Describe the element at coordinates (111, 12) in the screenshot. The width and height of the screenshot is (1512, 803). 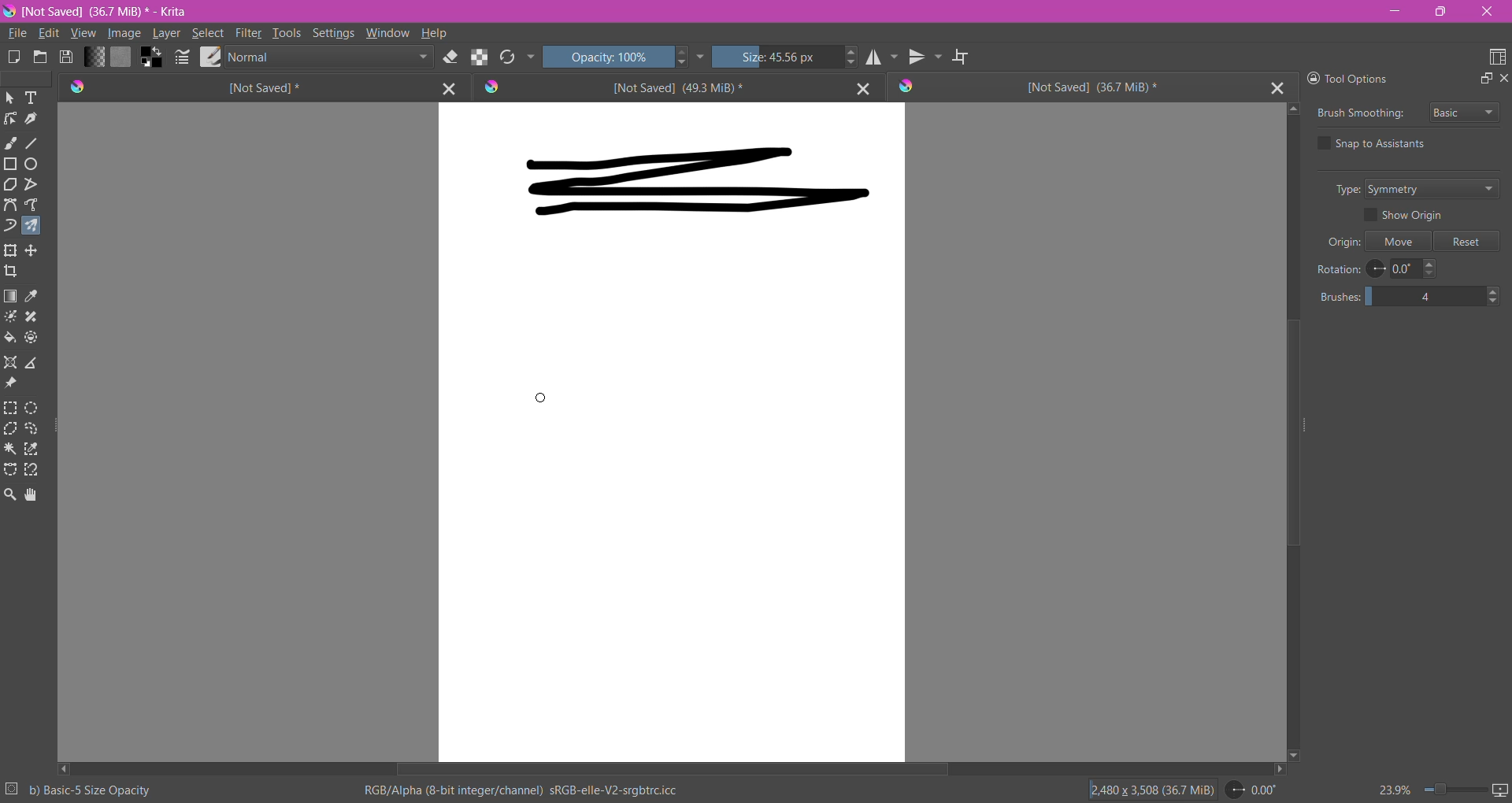
I see `File Name, Size` at that location.